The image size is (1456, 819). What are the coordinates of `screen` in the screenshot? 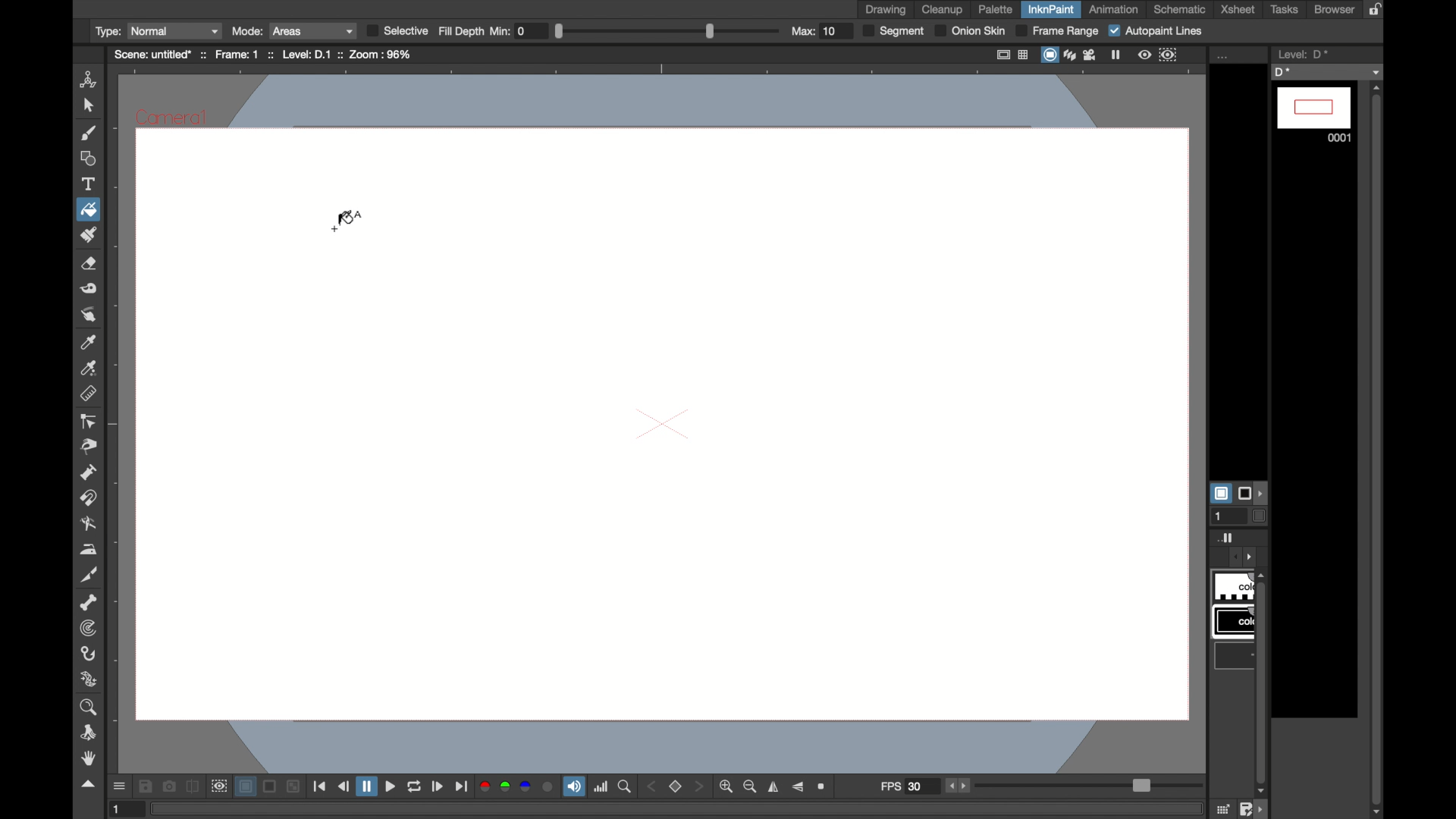 It's located at (270, 786).